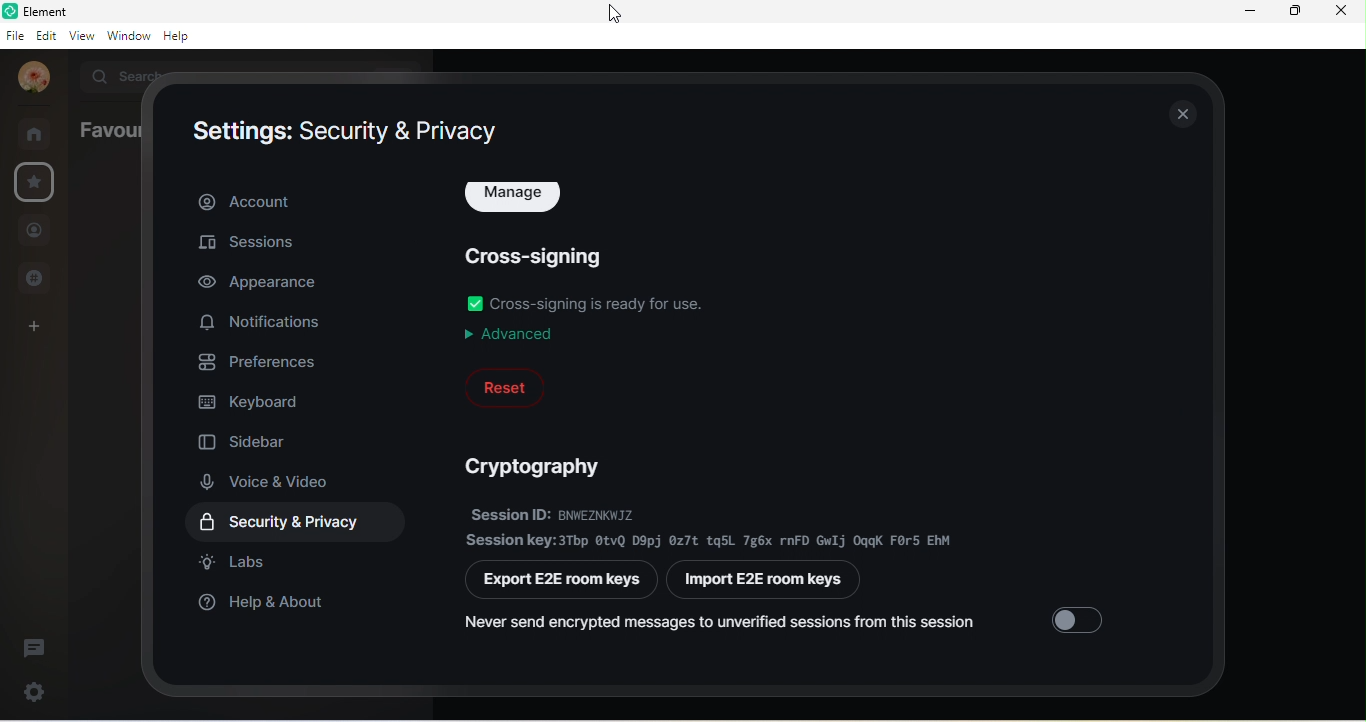 The width and height of the screenshot is (1366, 722). Describe the element at coordinates (47, 36) in the screenshot. I see `edit` at that location.